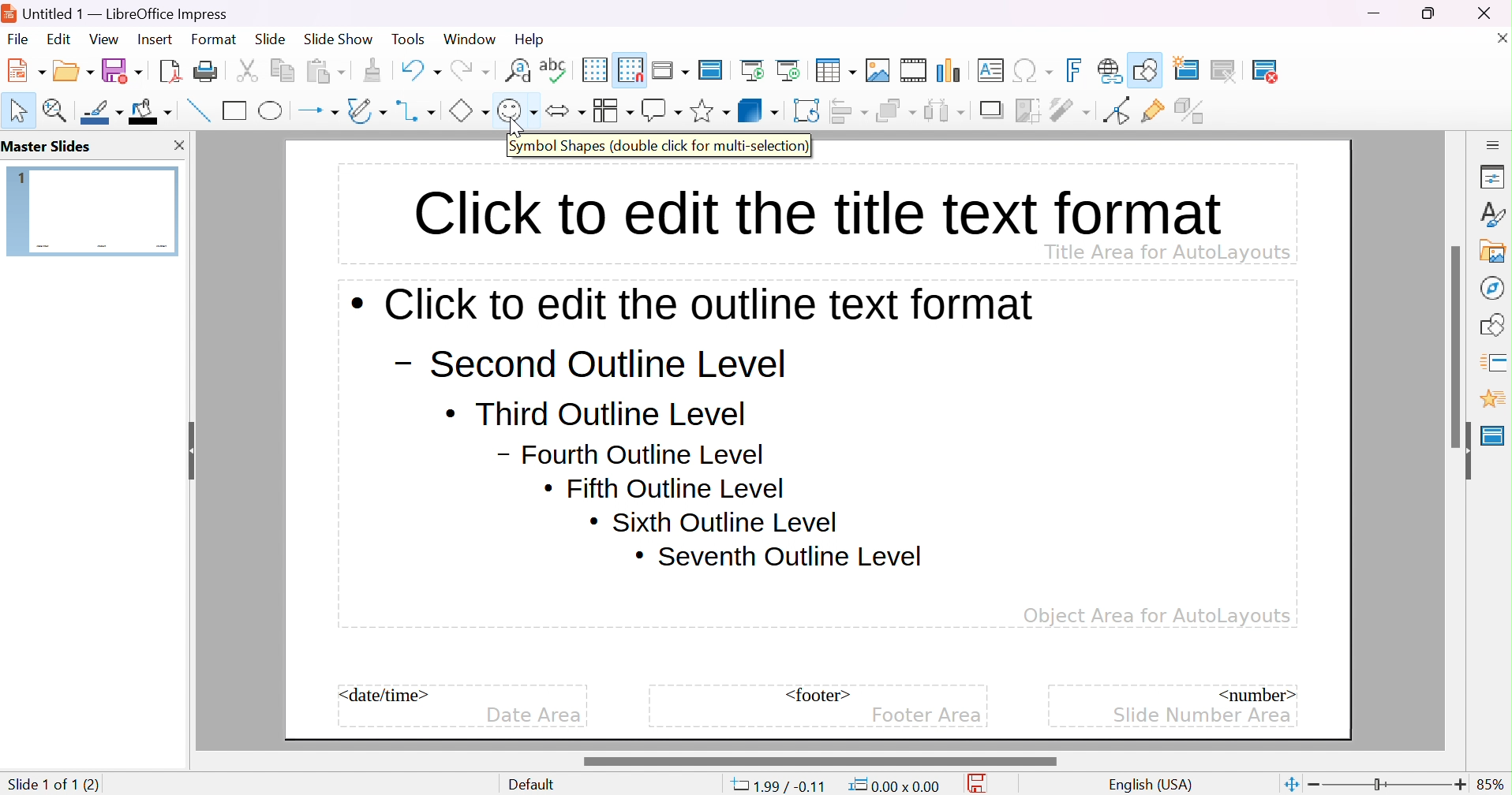  What do you see at coordinates (1496, 251) in the screenshot?
I see `gallery` at bounding box center [1496, 251].